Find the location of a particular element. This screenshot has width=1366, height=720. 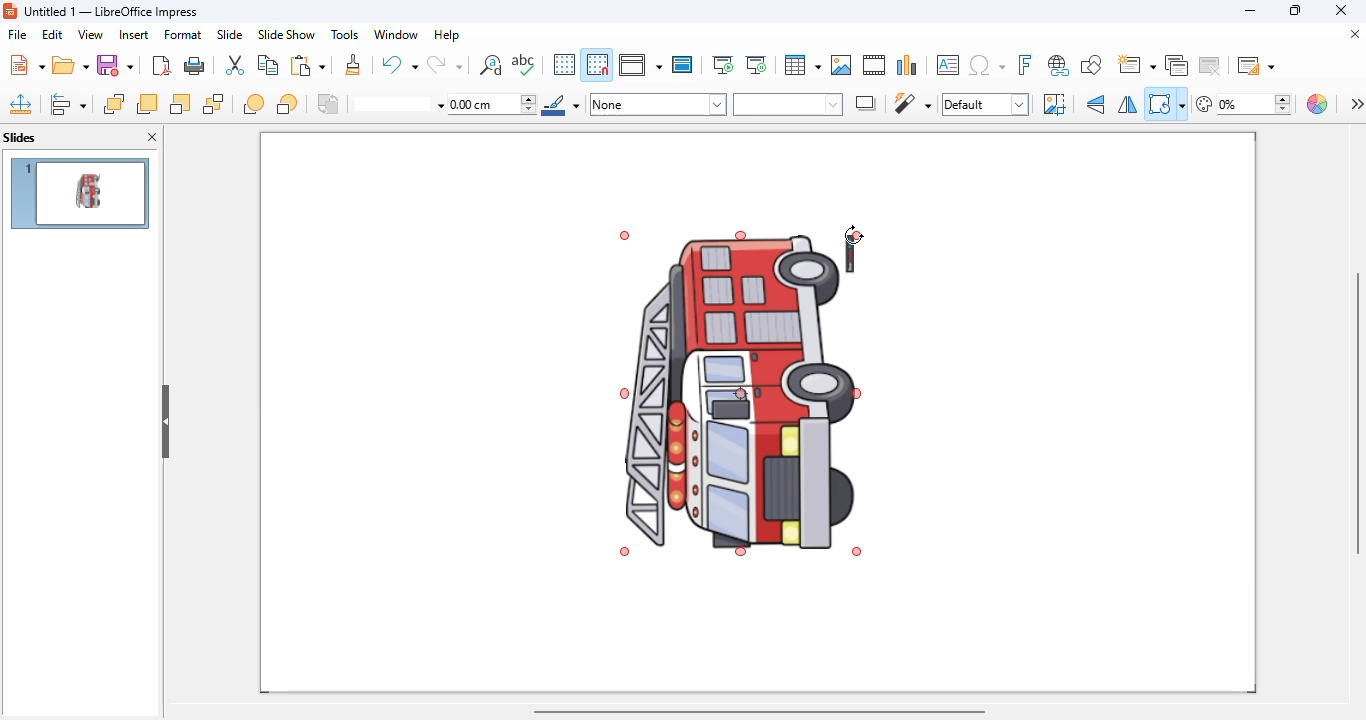

align objects is located at coordinates (68, 104).